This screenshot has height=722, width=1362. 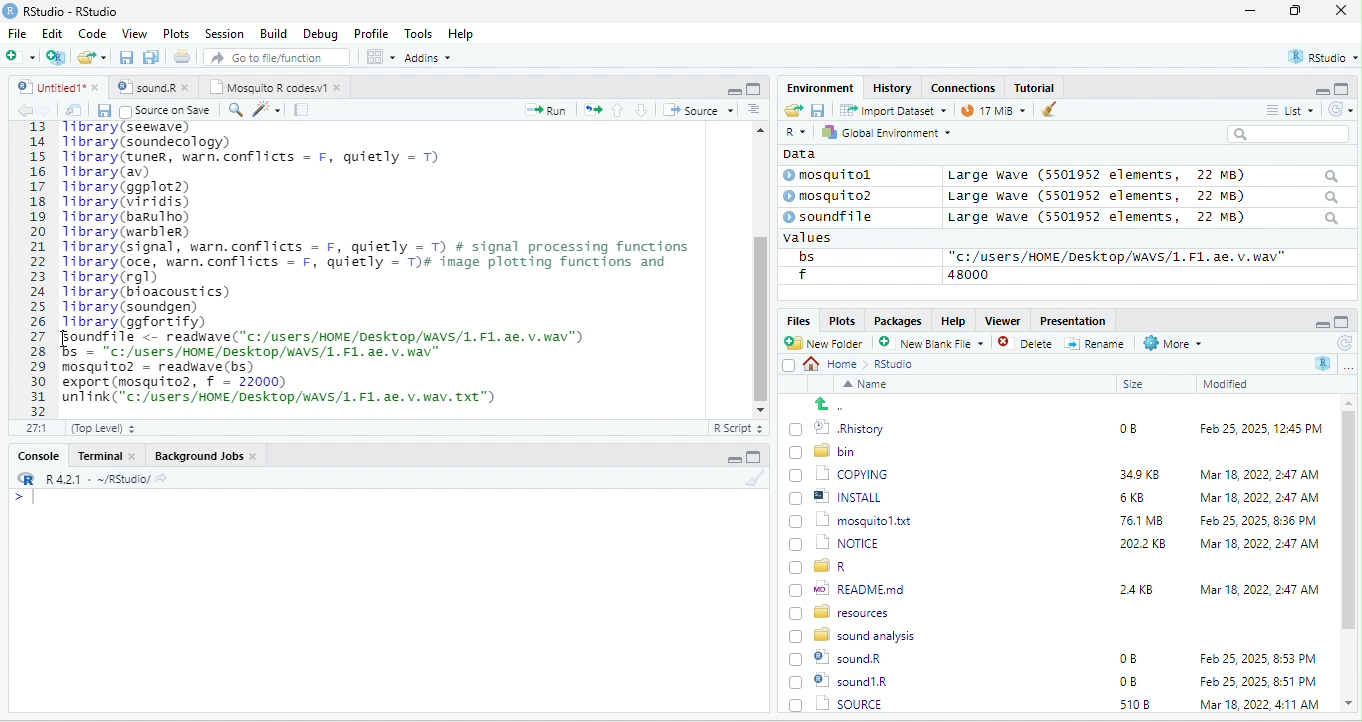 What do you see at coordinates (74, 110) in the screenshot?
I see `open` at bounding box center [74, 110].